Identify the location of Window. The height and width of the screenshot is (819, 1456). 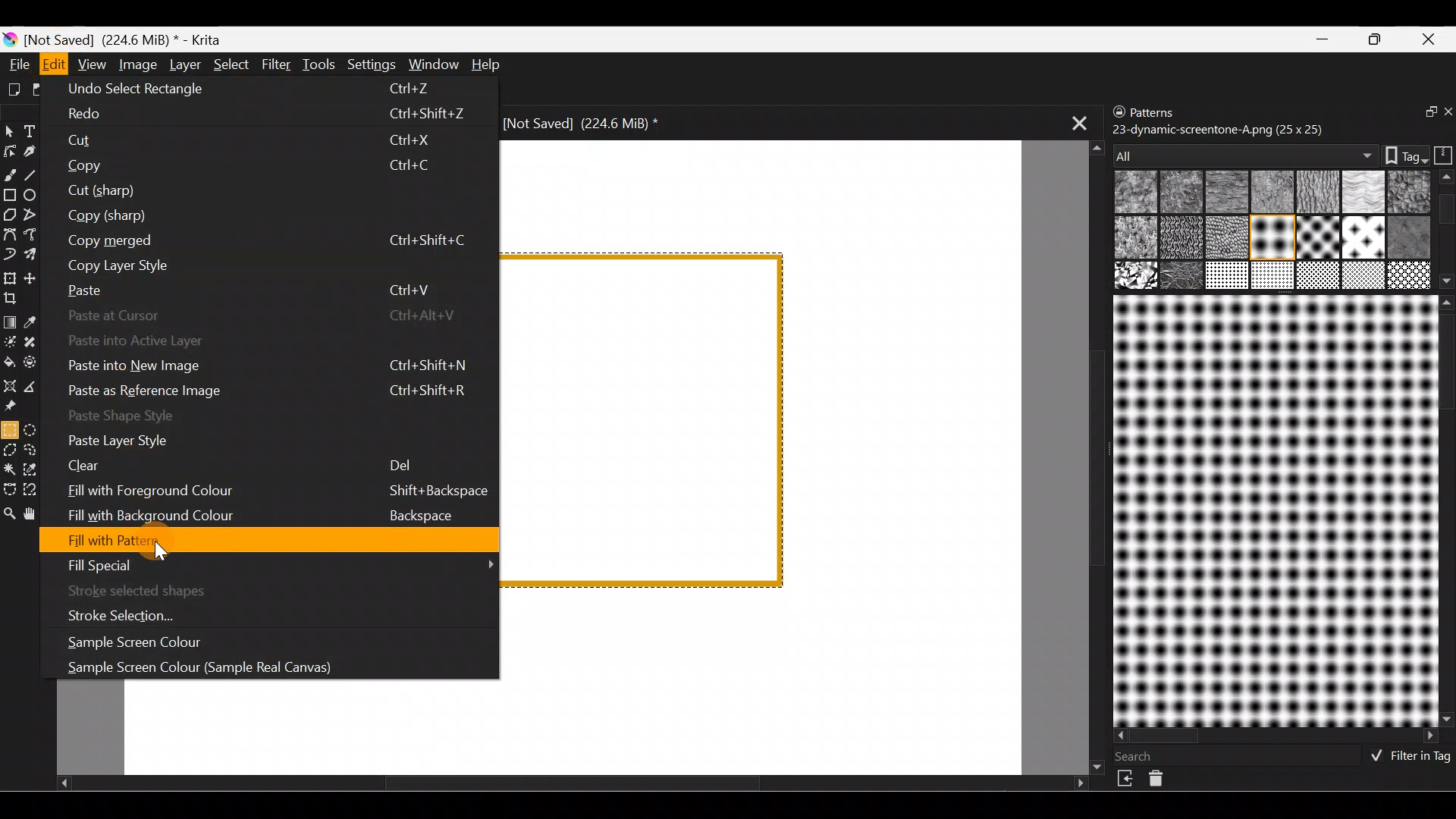
(431, 64).